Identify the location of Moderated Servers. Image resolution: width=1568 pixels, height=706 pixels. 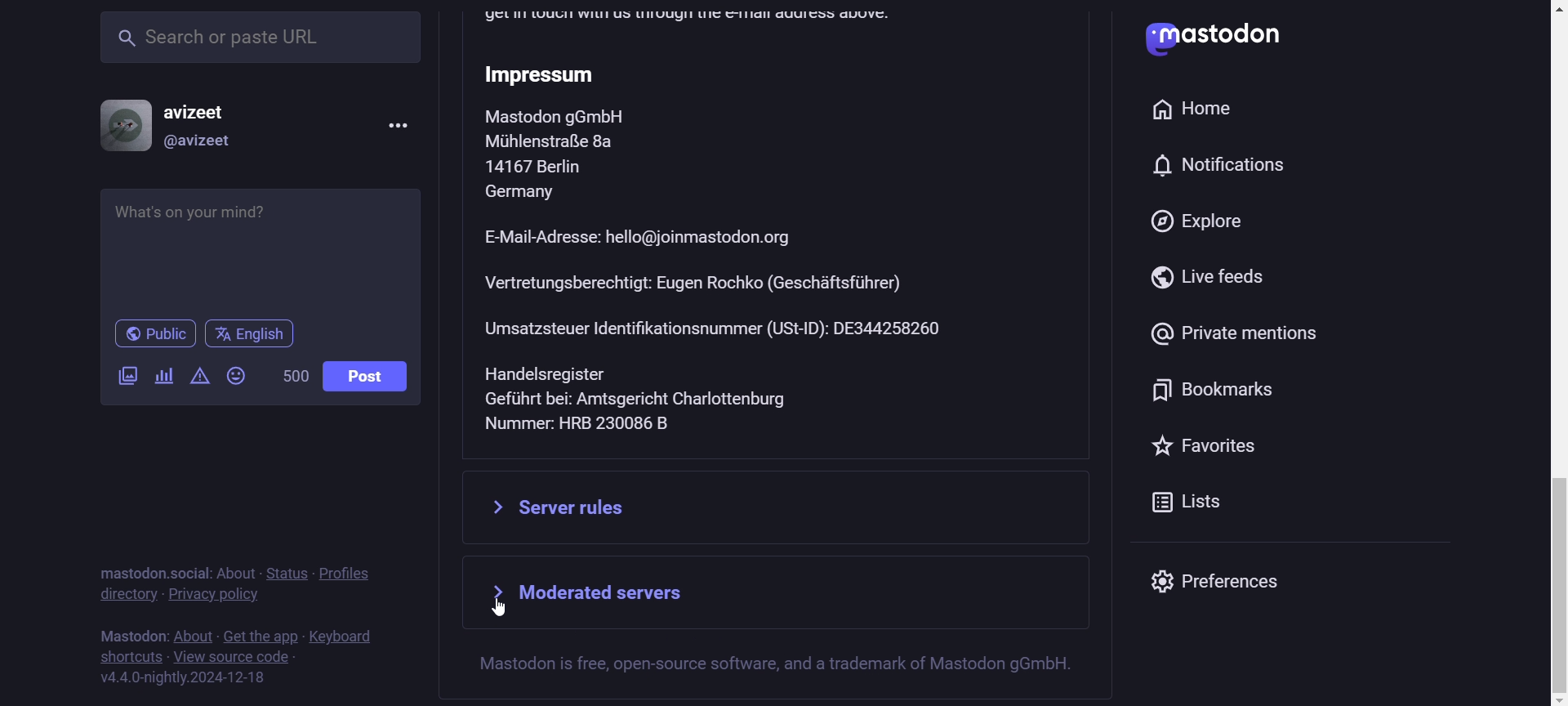
(787, 595).